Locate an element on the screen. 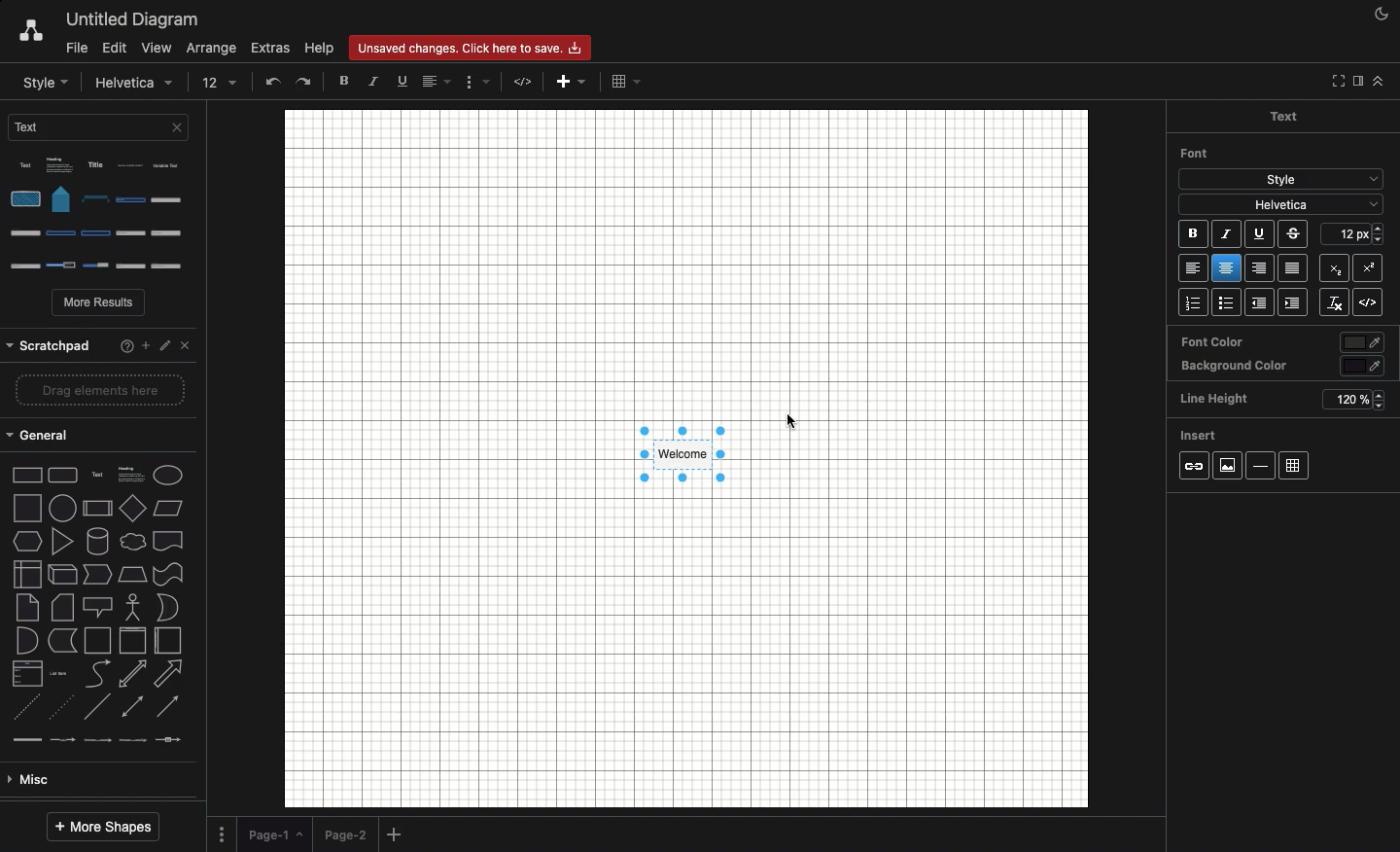 The image size is (1400, 852). shape is located at coordinates (101, 502).